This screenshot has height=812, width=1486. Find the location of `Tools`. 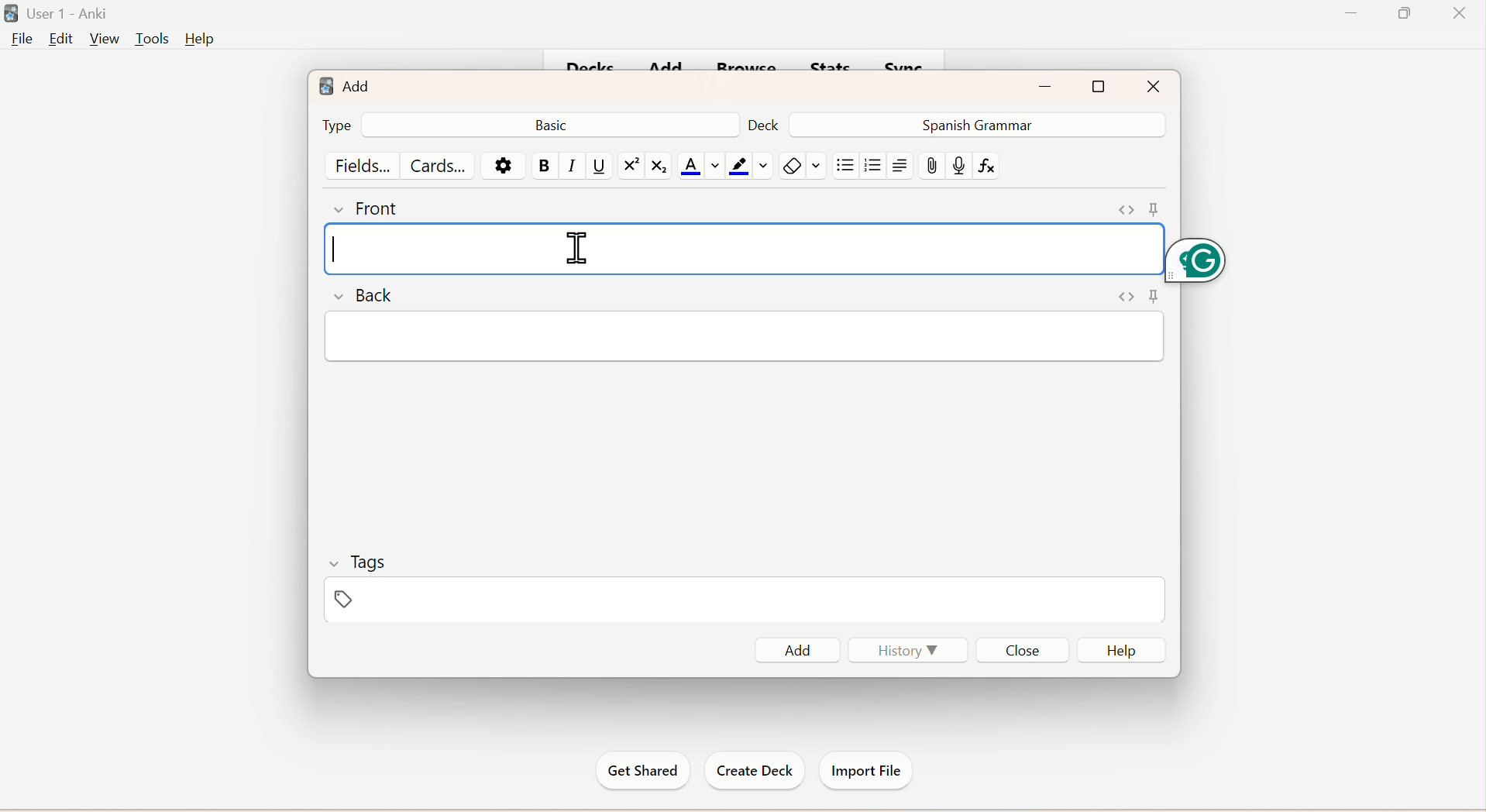

Tools is located at coordinates (148, 40).